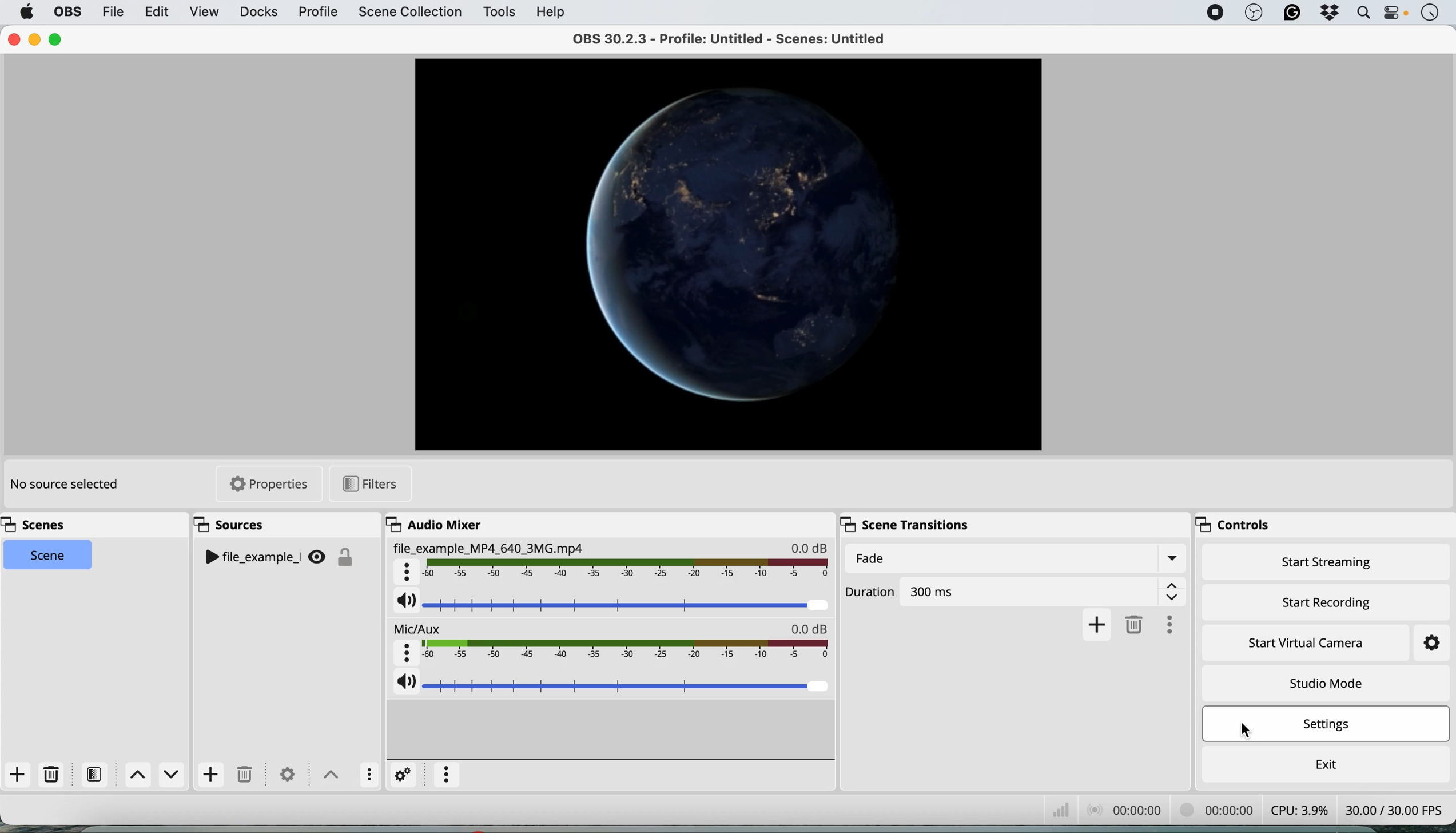 Image resolution: width=1456 pixels, height=833 pixels. Describe the element at coordinates (1097, 624) in the screenshot. I see `add transition` at that location.